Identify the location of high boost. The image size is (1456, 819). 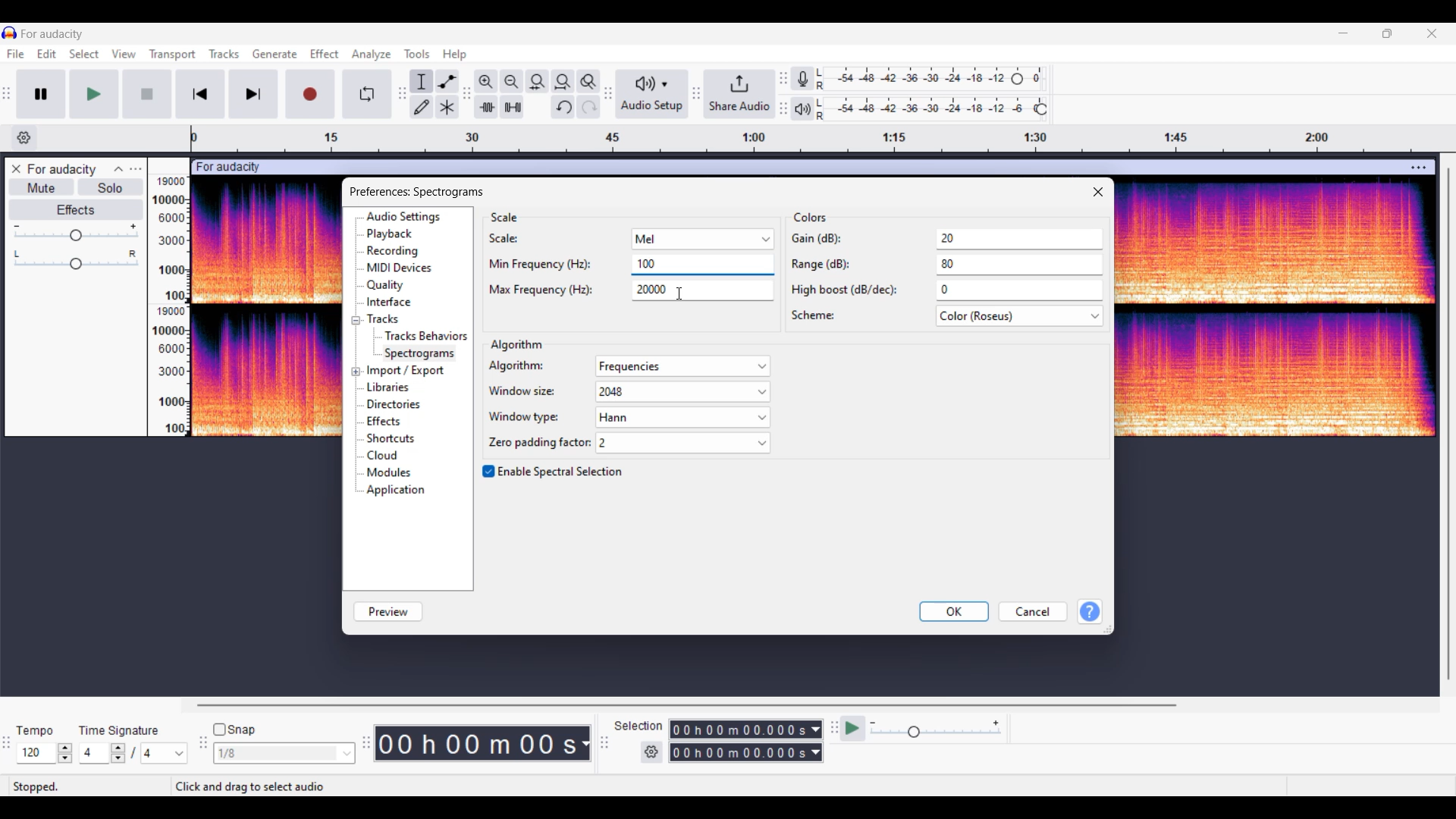
(945, 291).